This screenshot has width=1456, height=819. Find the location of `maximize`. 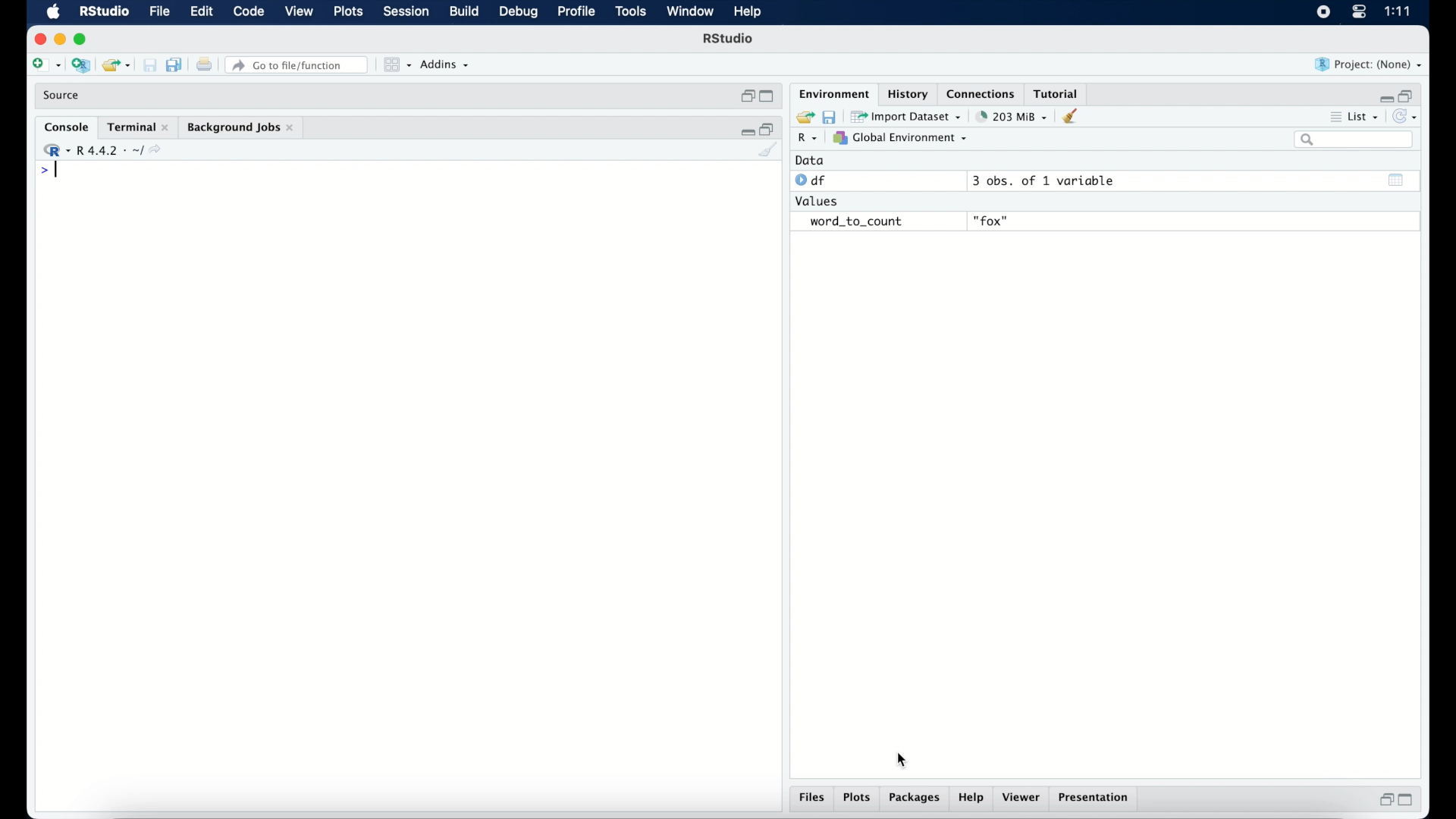

maximize is located at coordinates (83, 39).